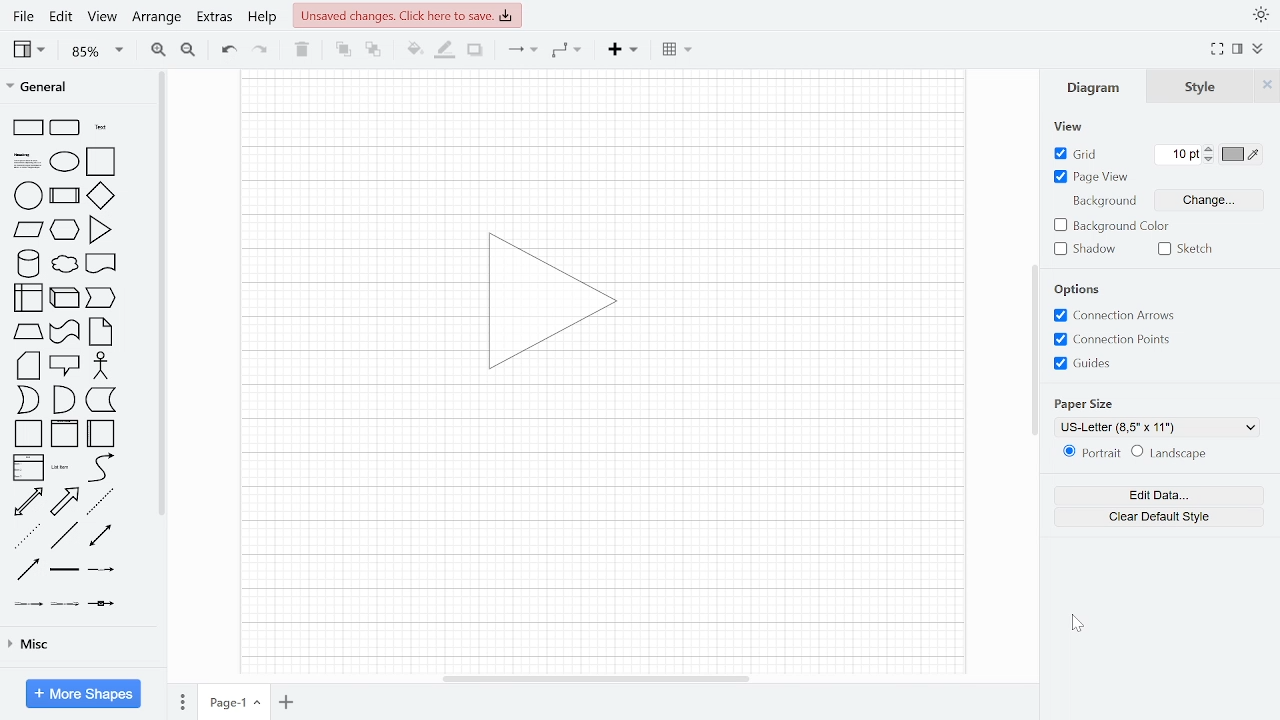 The width and height of the screenshot is (1280, 720). I want to click on Edit data, so click(1160, 496).